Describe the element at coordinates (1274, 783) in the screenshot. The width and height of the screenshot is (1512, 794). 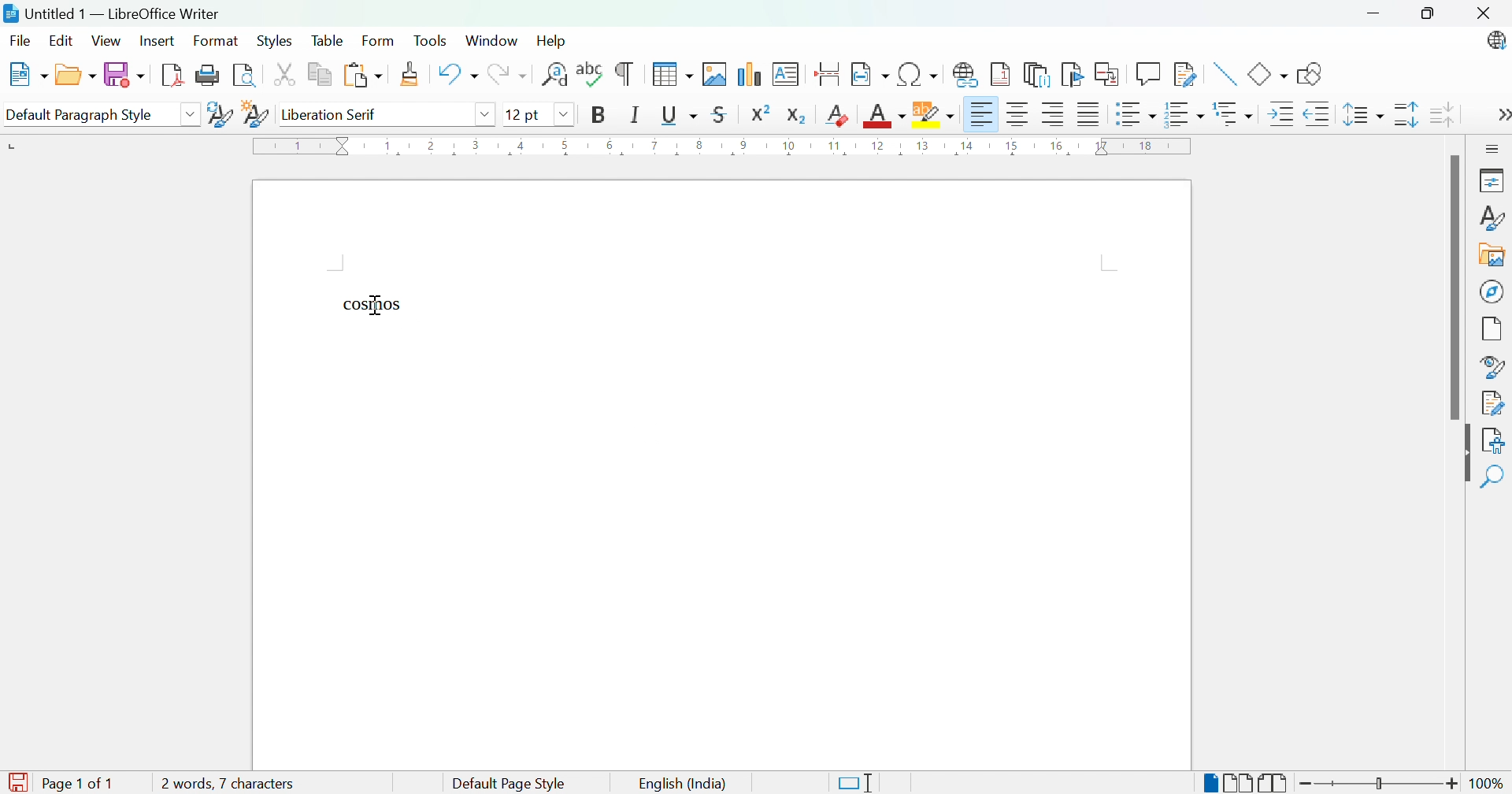
I see `Book view` at that location.